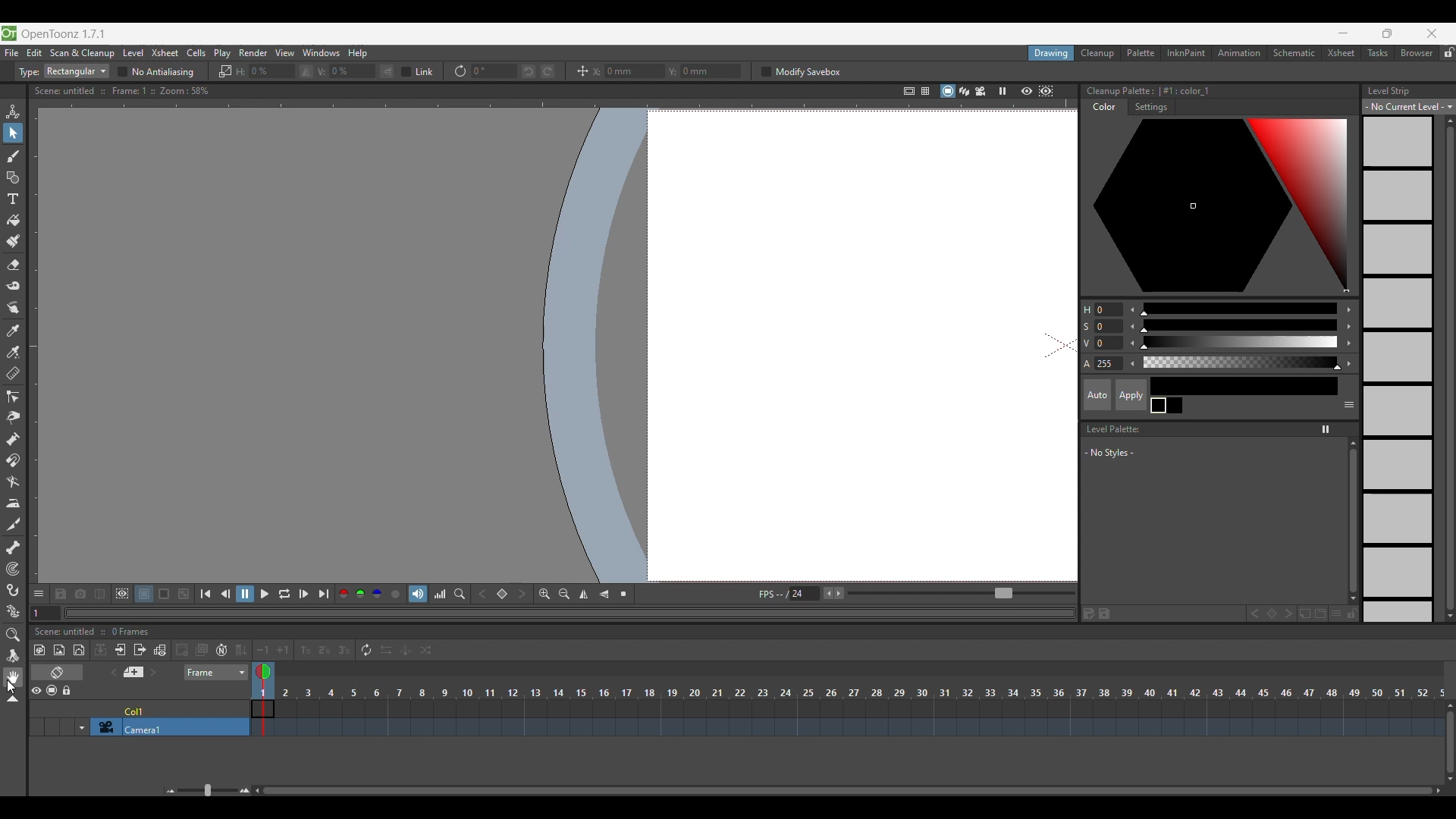 The width and height of the screenshot is (1456, 819). Describe the element at coordinates (1401, 370) in the screenshot. I see `Level strip` at that location.